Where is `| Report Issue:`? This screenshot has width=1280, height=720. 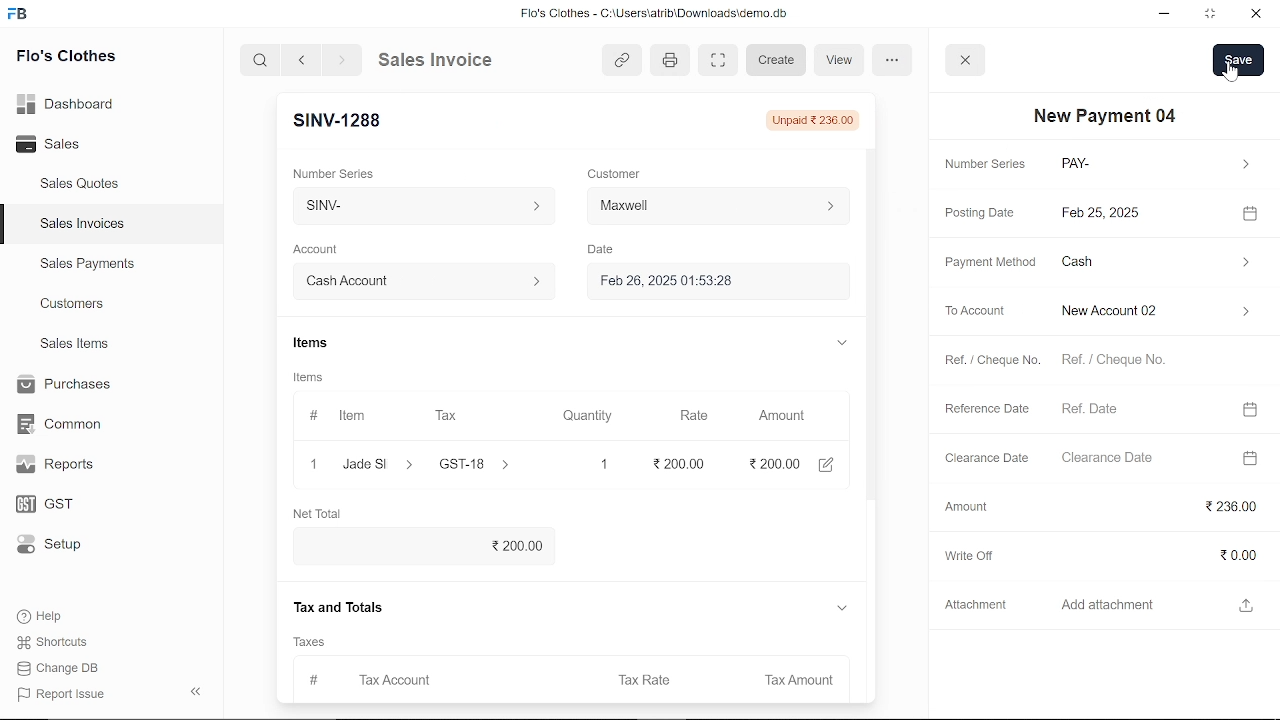 | Report Issue: is located at coordinates (64, 694).